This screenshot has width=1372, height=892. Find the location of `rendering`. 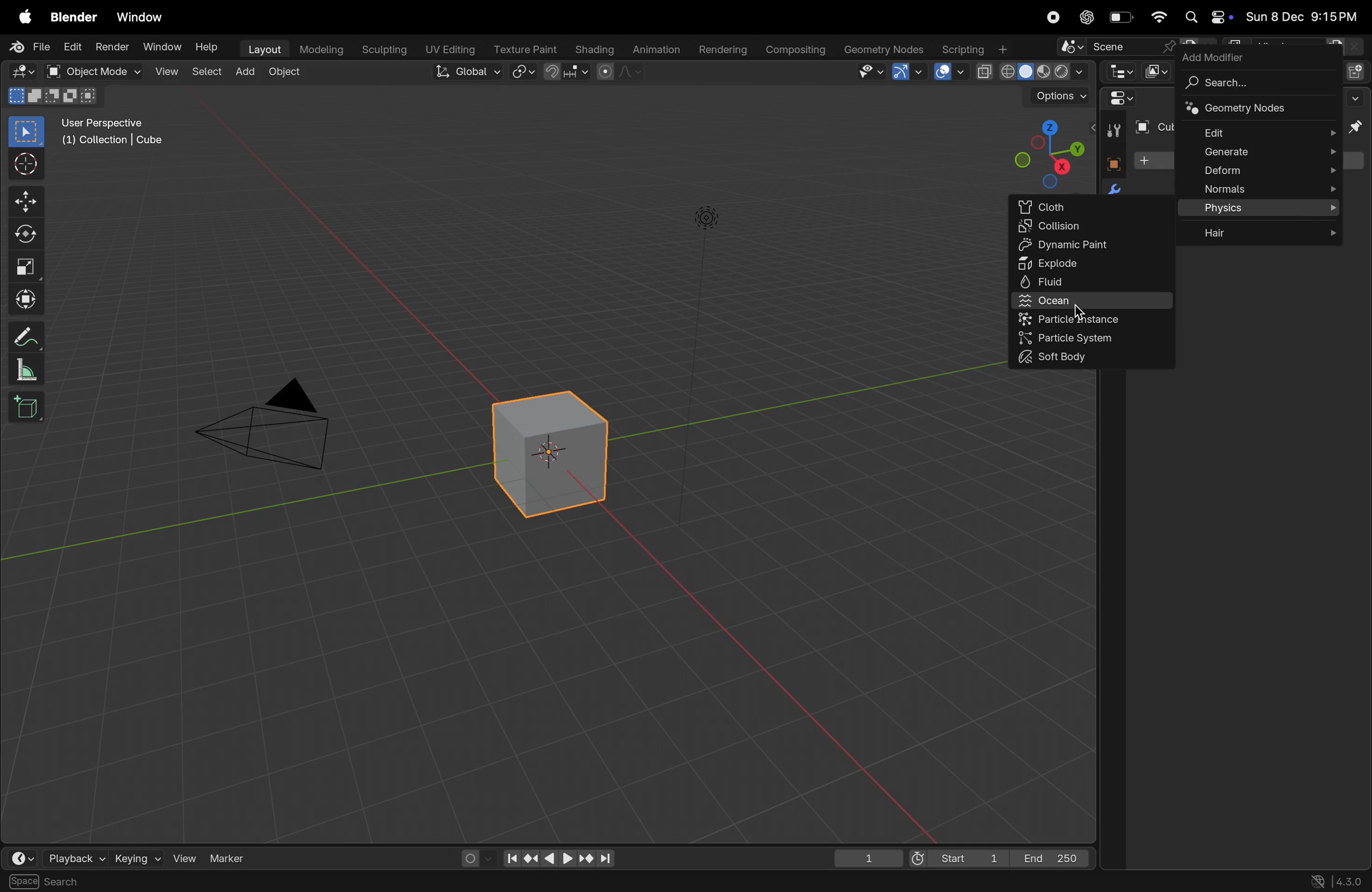

rendering is located at coordinates (721, 50).